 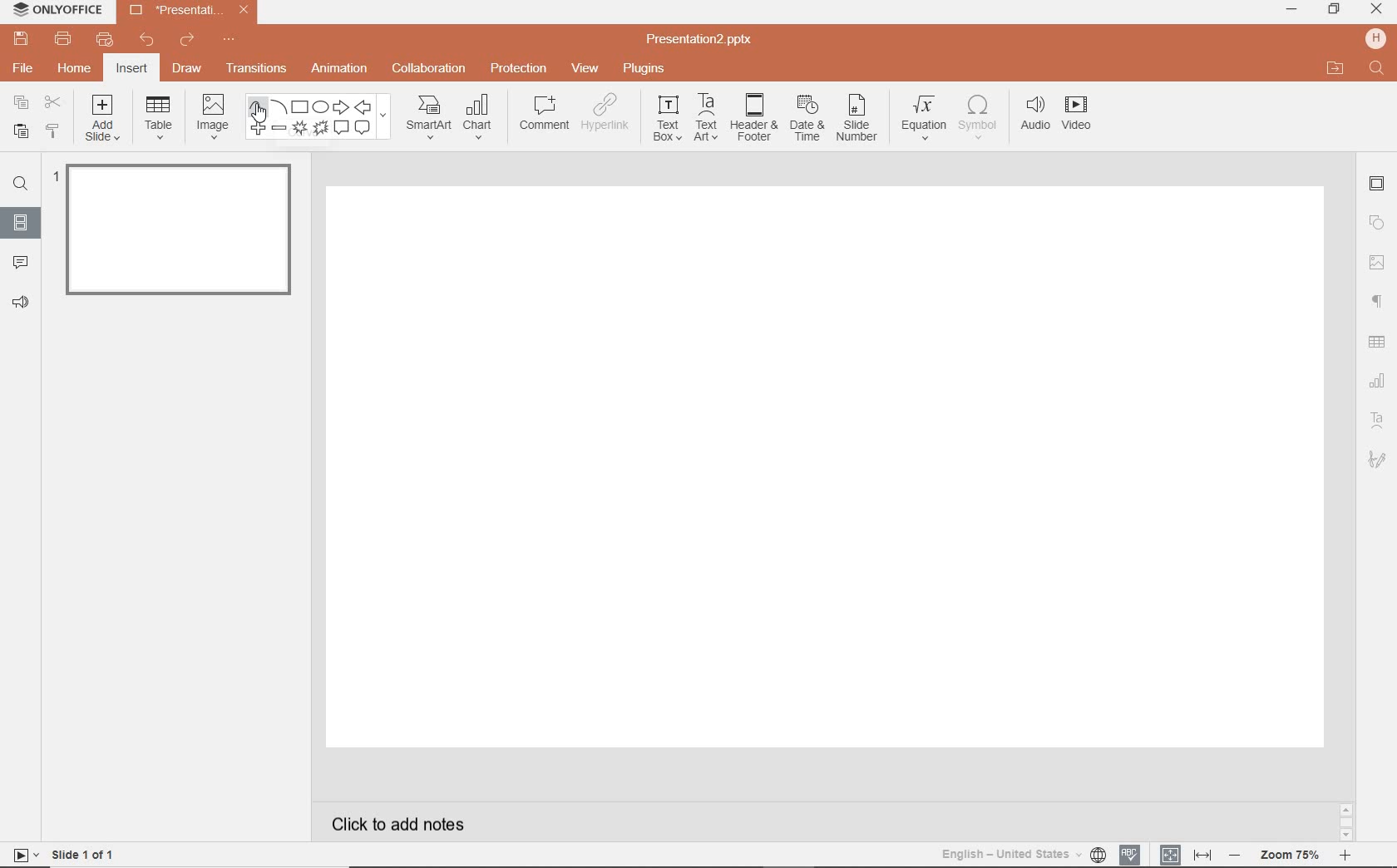 I want to click on PASTE, so click(x=19, y=131).